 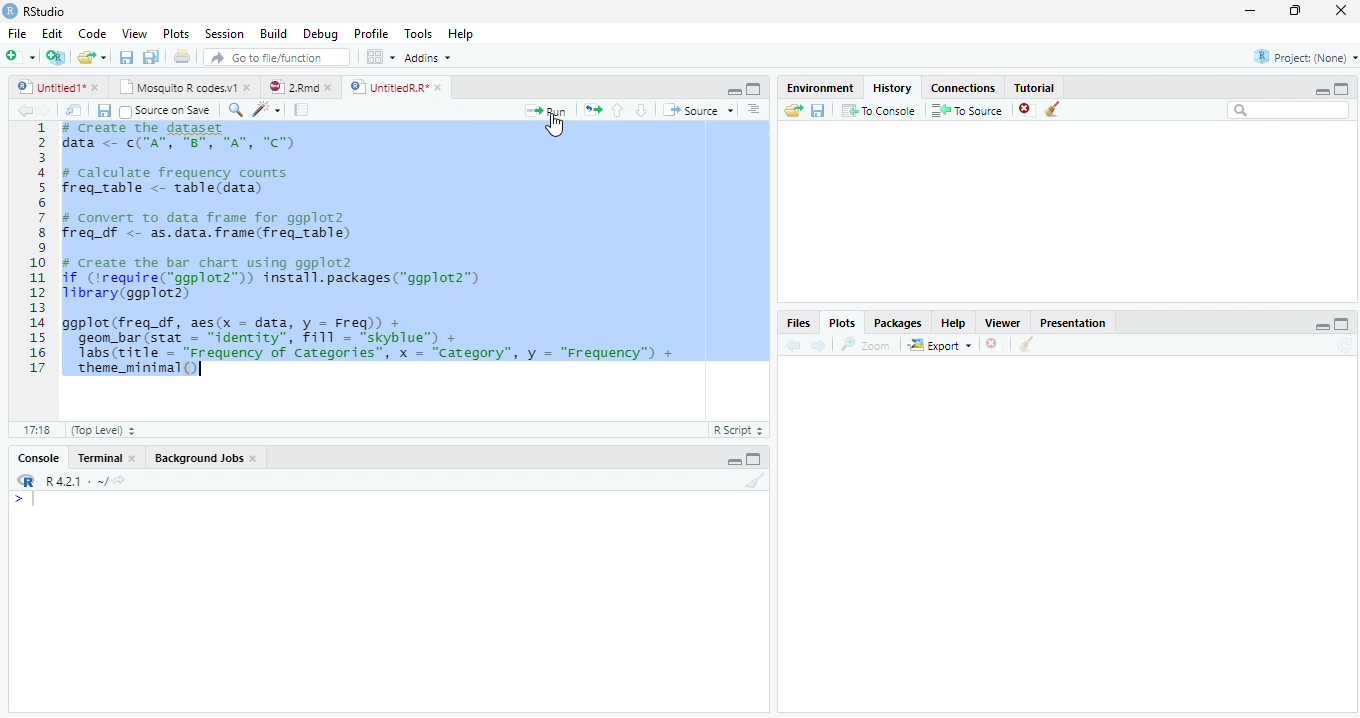 What do you see at coordinates (817, 113) in the screenshot?
I see `Save` at bounding box center [817, 113].